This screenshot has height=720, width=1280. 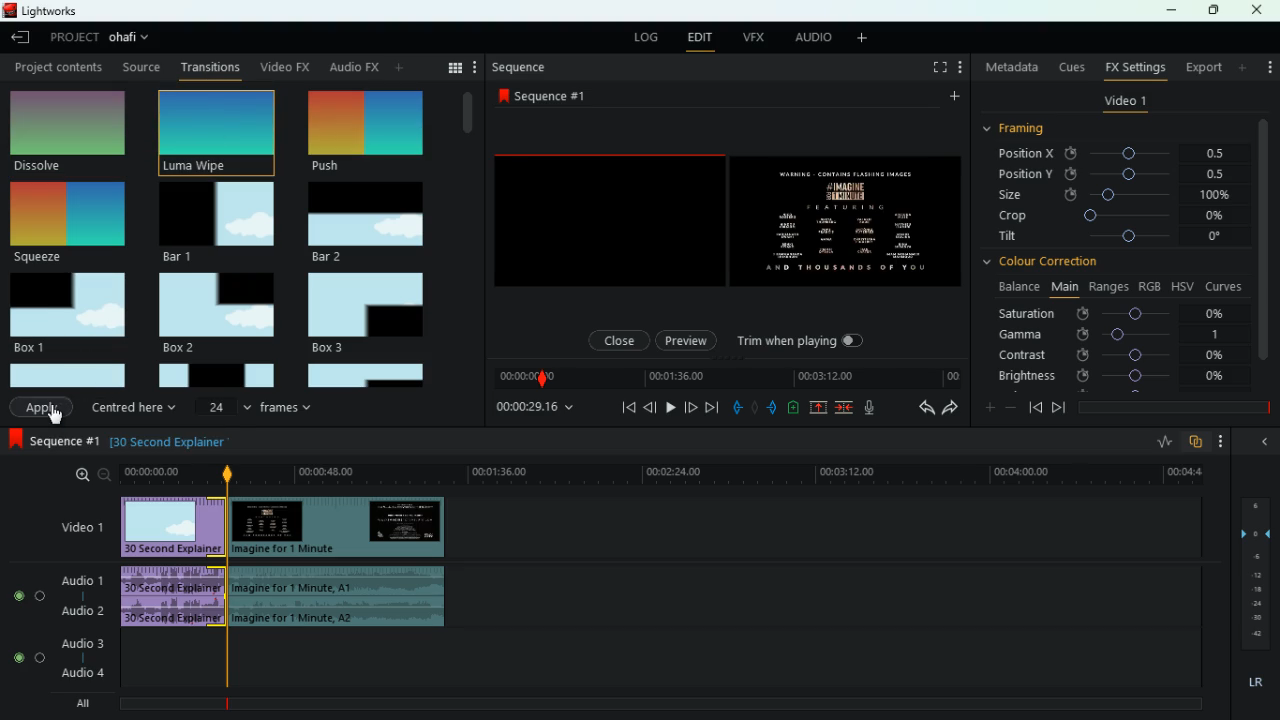 What do you see at coordinates (725, 378) in the screenshot?
I see `time` at bounding box center [725, 378].